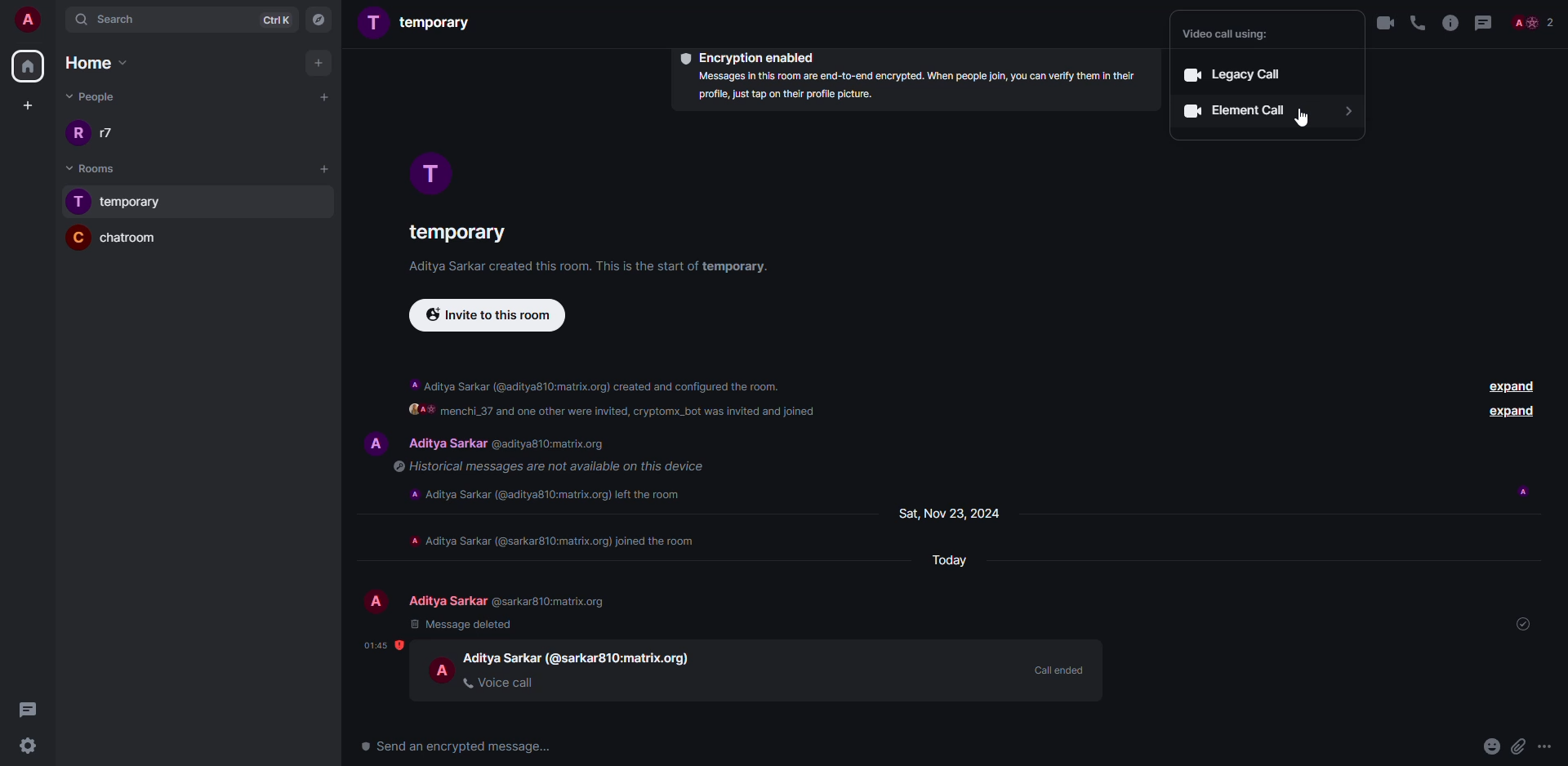 The width and height of the screenshot is (1568, 766). What do you see at coordinates (140, 20) in the screenshot?
I see `search` at bounding box center [140, 20].